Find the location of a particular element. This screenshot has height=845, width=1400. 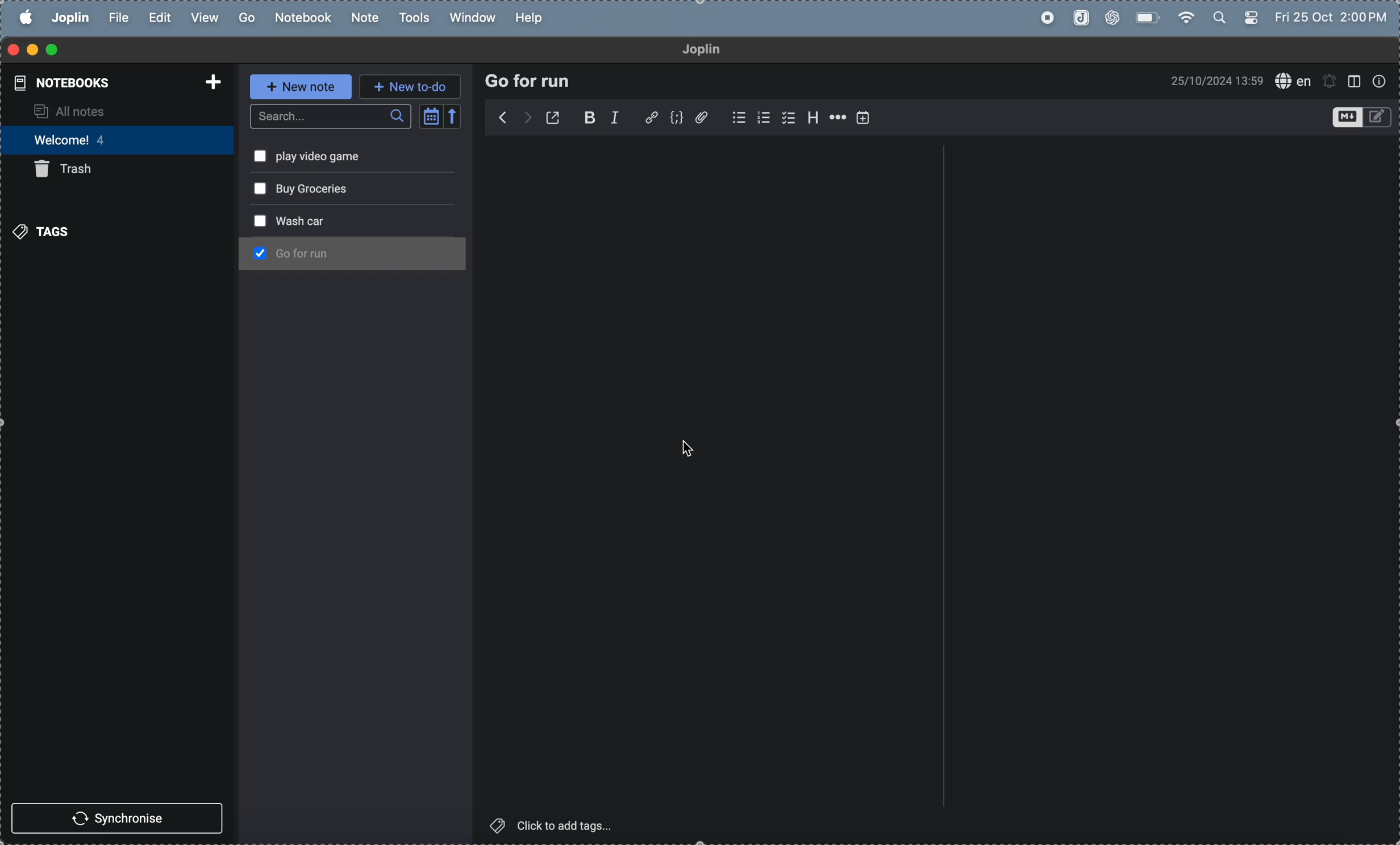

all notes is located at coordinates (103, 109).